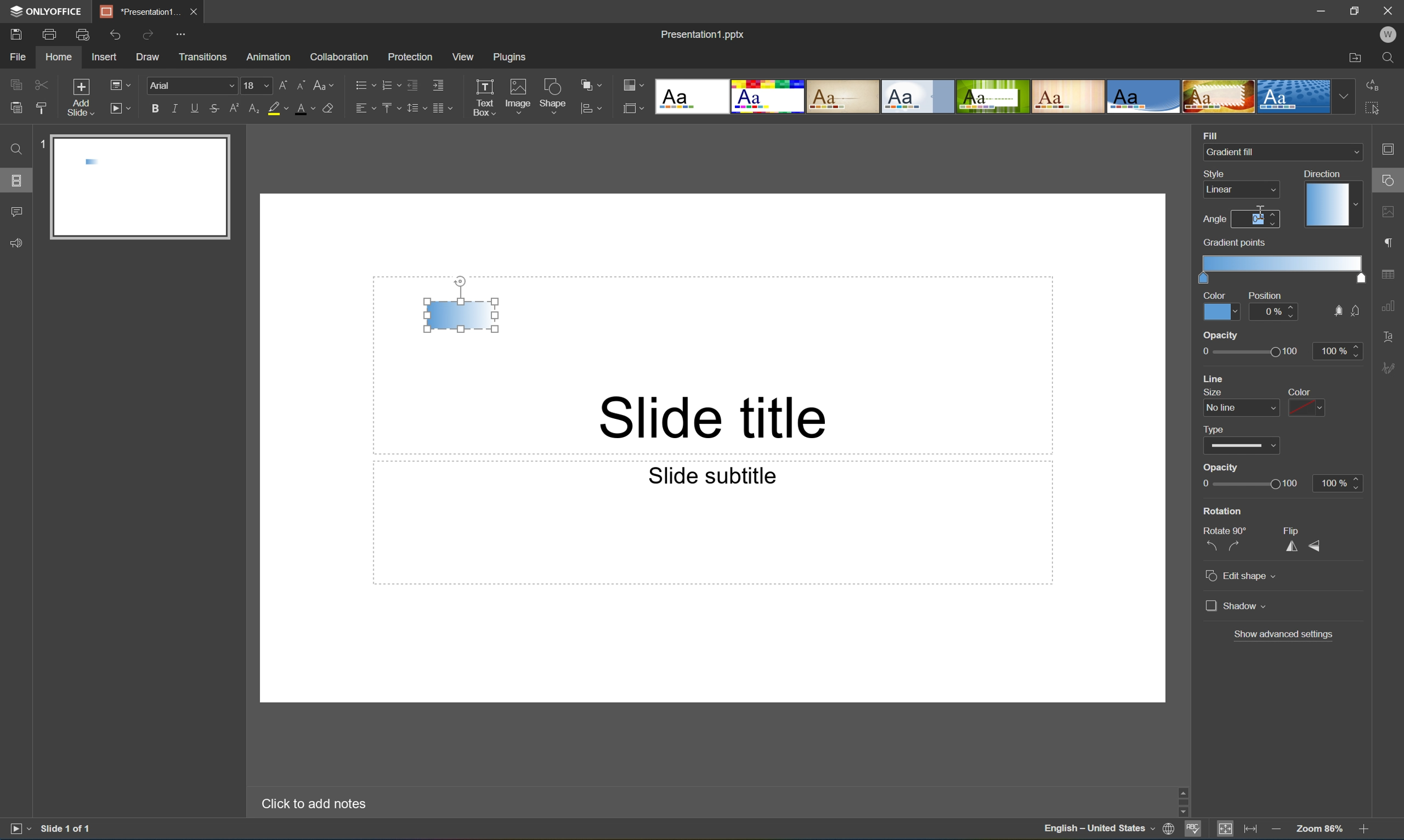  Describe the element at coordinates (279, 109) in the screenshot. I see `Highlight` at that location.